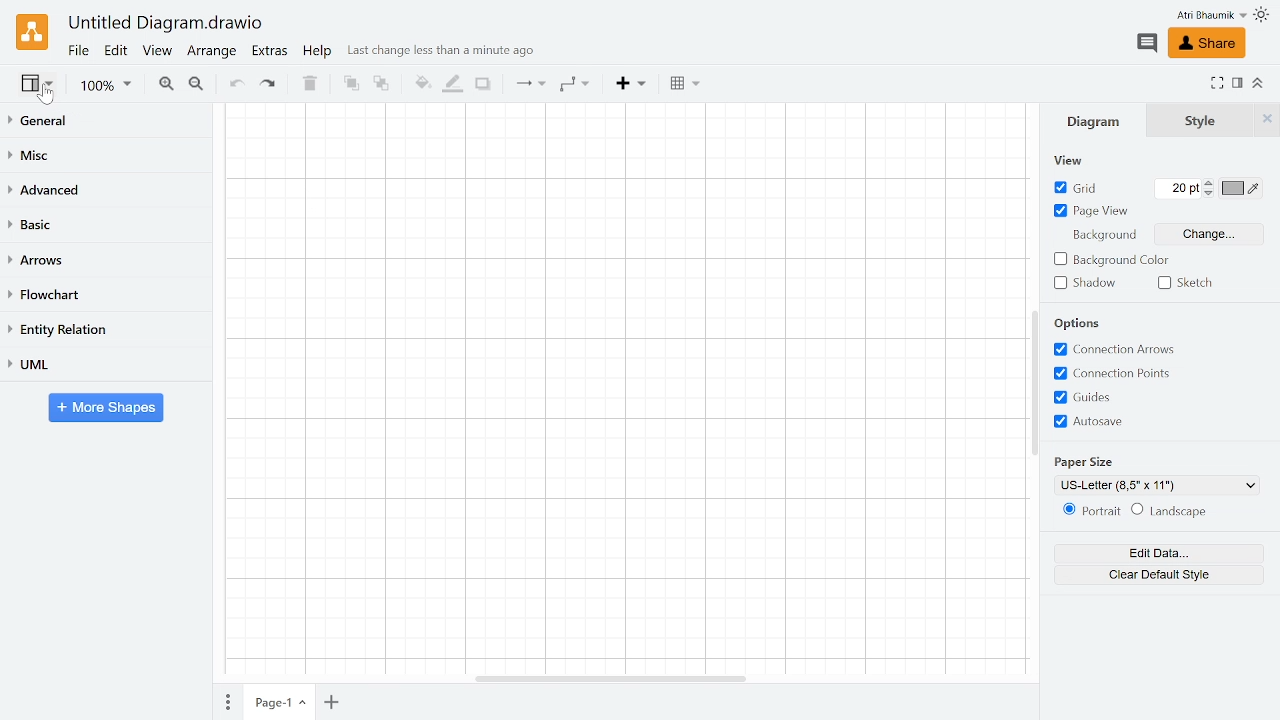  I want to click on Add page, so click(335, 701).